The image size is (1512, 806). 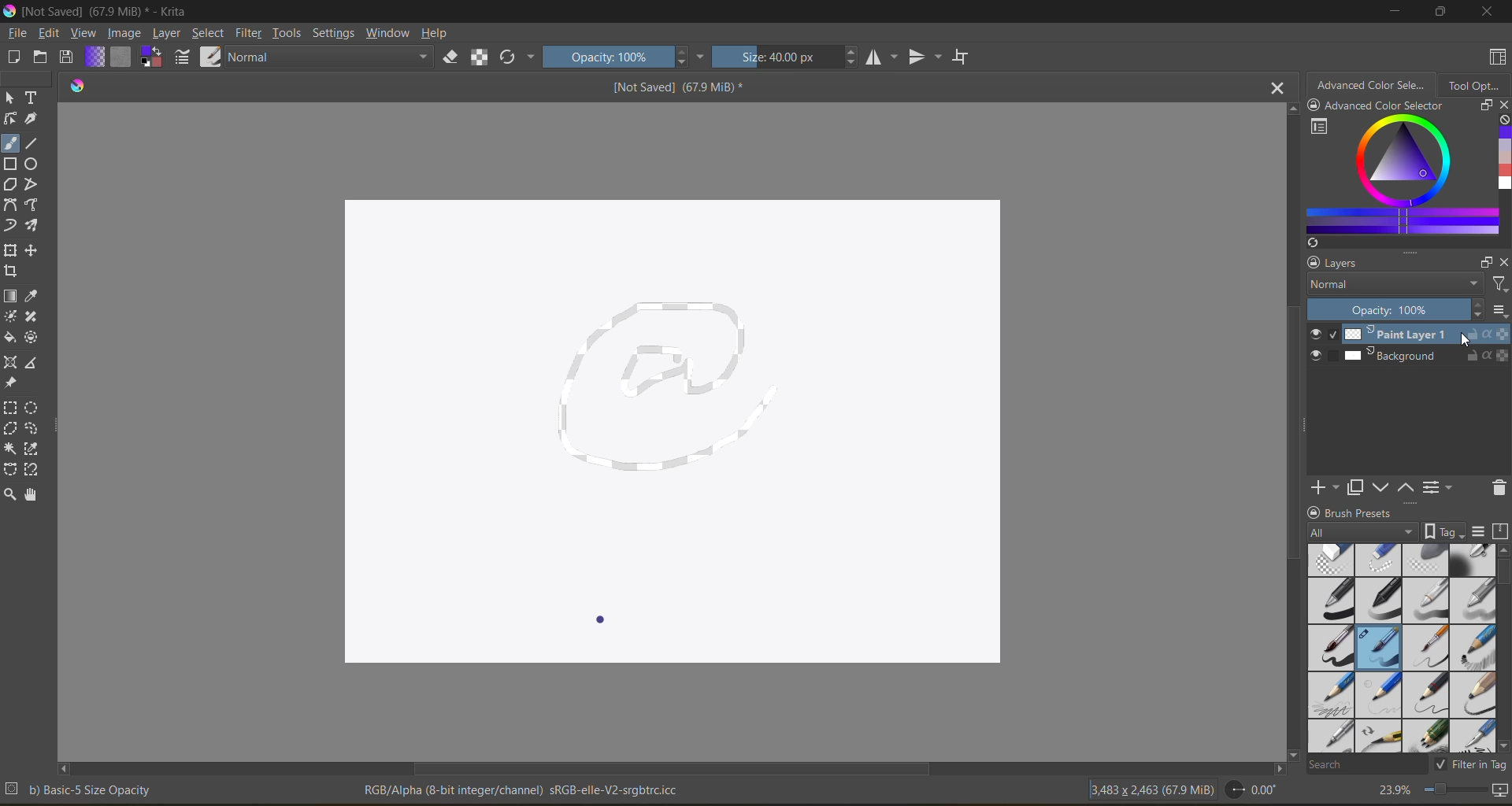 I want to click on horizontal scroll bar, so click(x=694, y=771).